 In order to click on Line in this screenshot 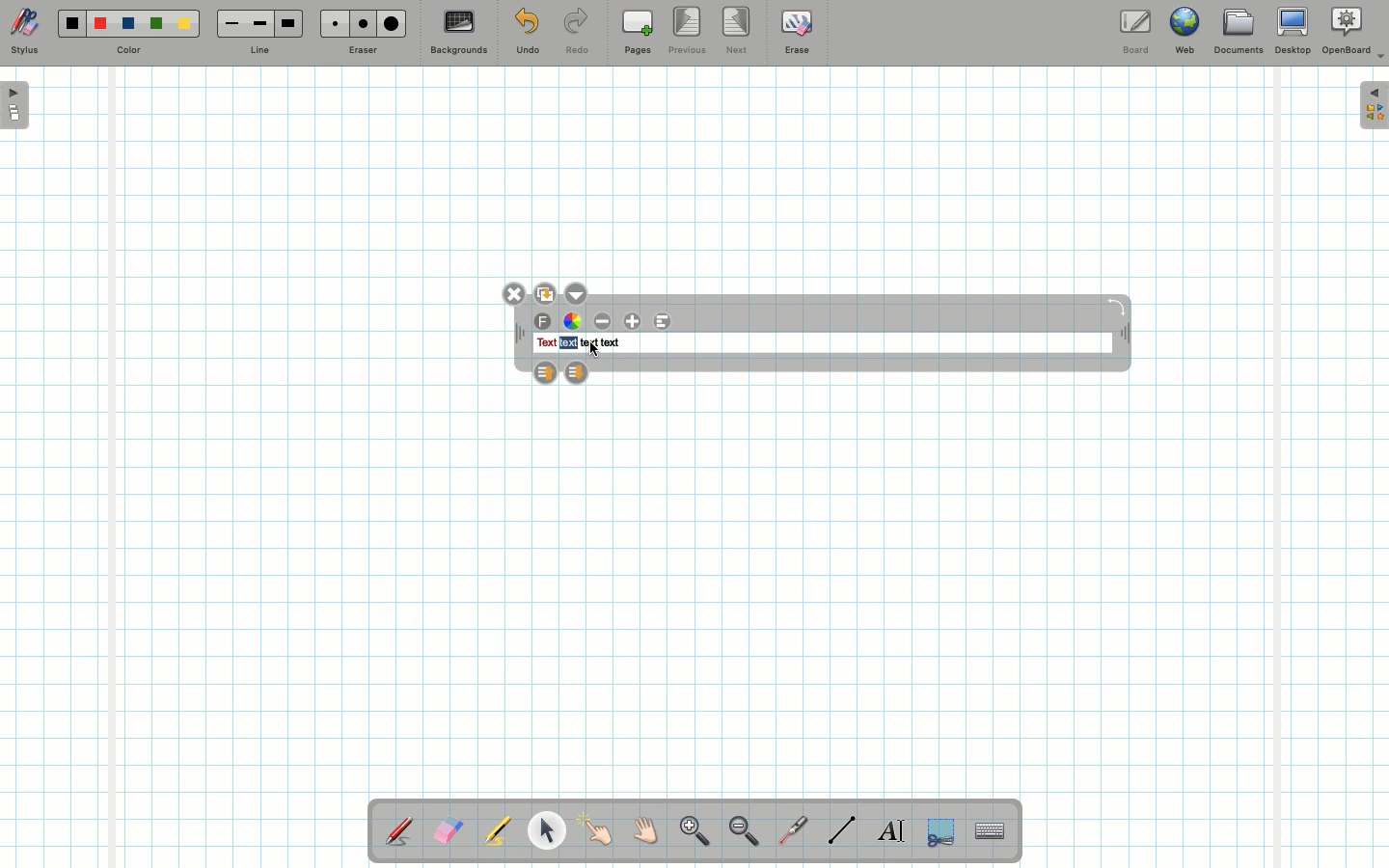, I will do `click(259, 51)`.